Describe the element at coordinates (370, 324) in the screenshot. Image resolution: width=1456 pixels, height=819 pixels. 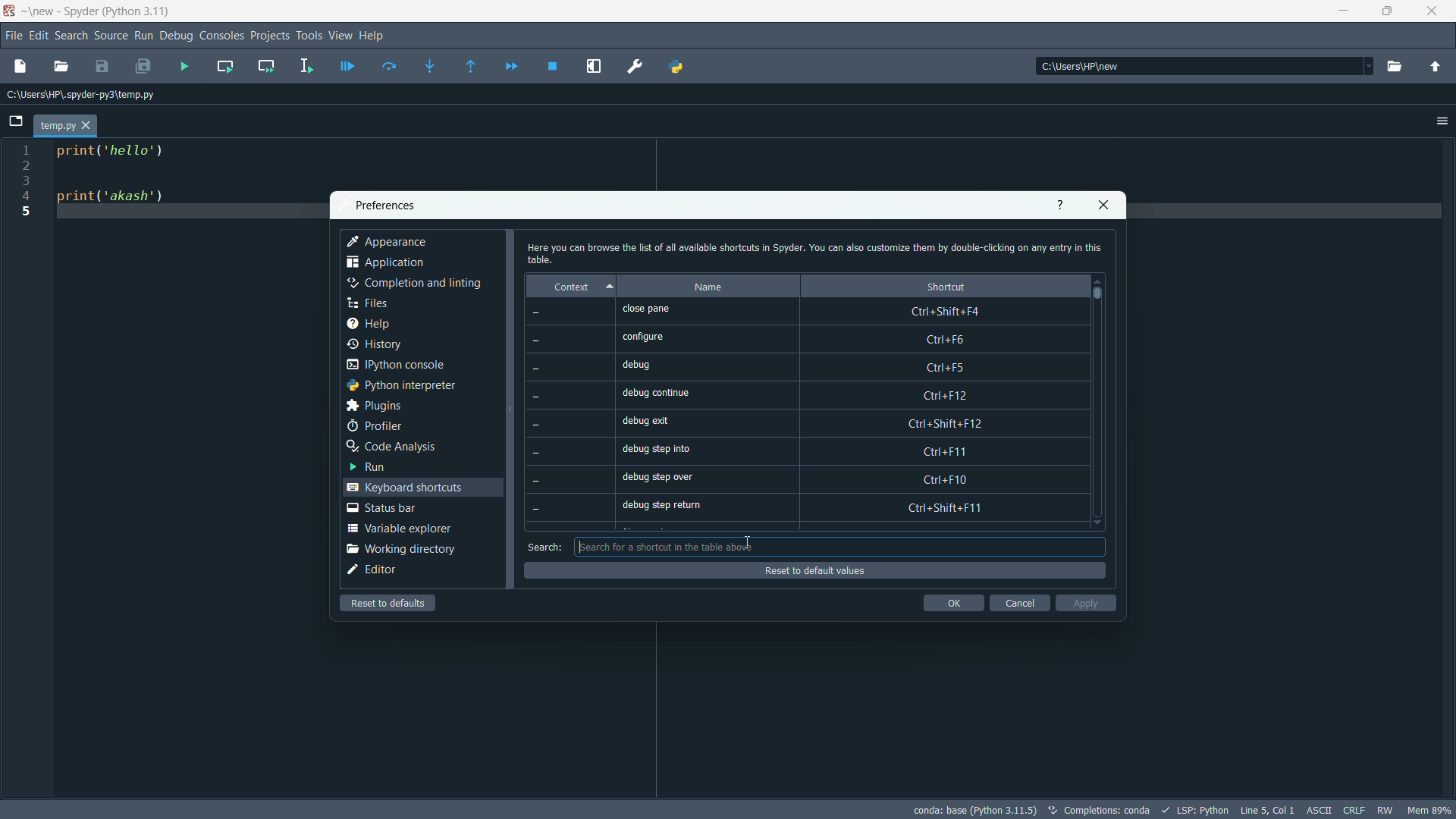
I see `help` at that location.